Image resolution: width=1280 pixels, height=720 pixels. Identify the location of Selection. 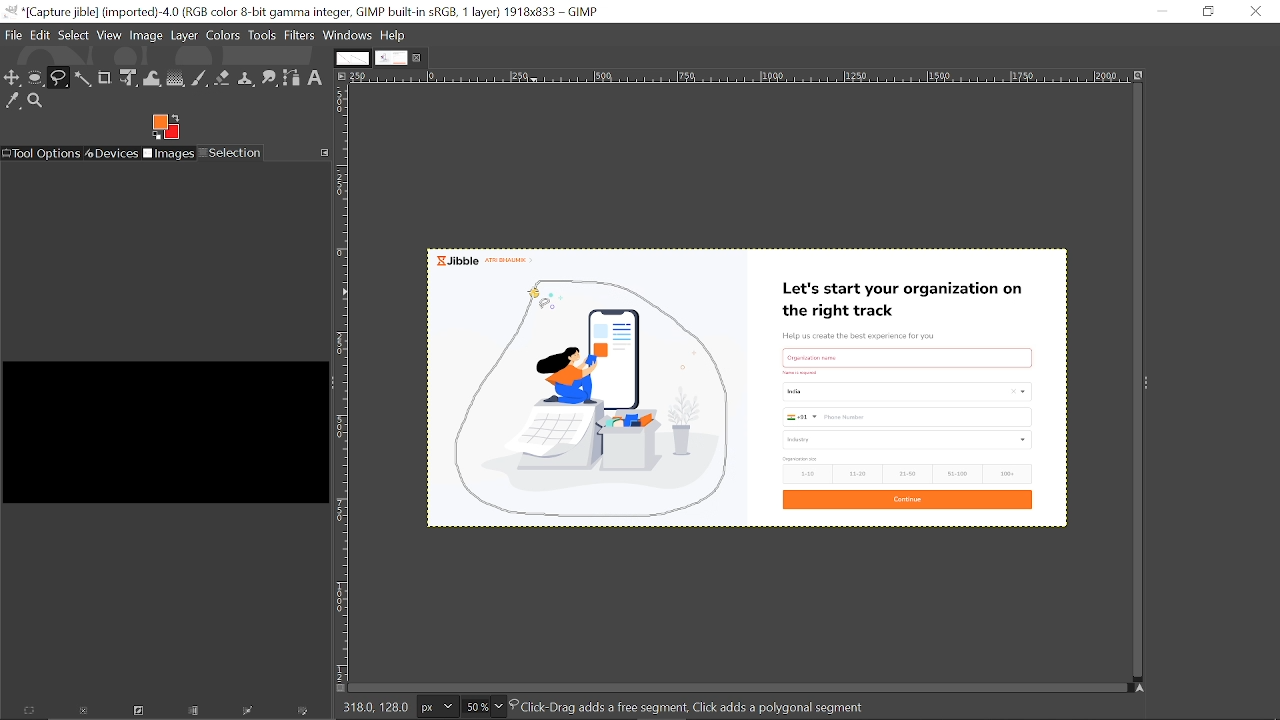
(231, 153).